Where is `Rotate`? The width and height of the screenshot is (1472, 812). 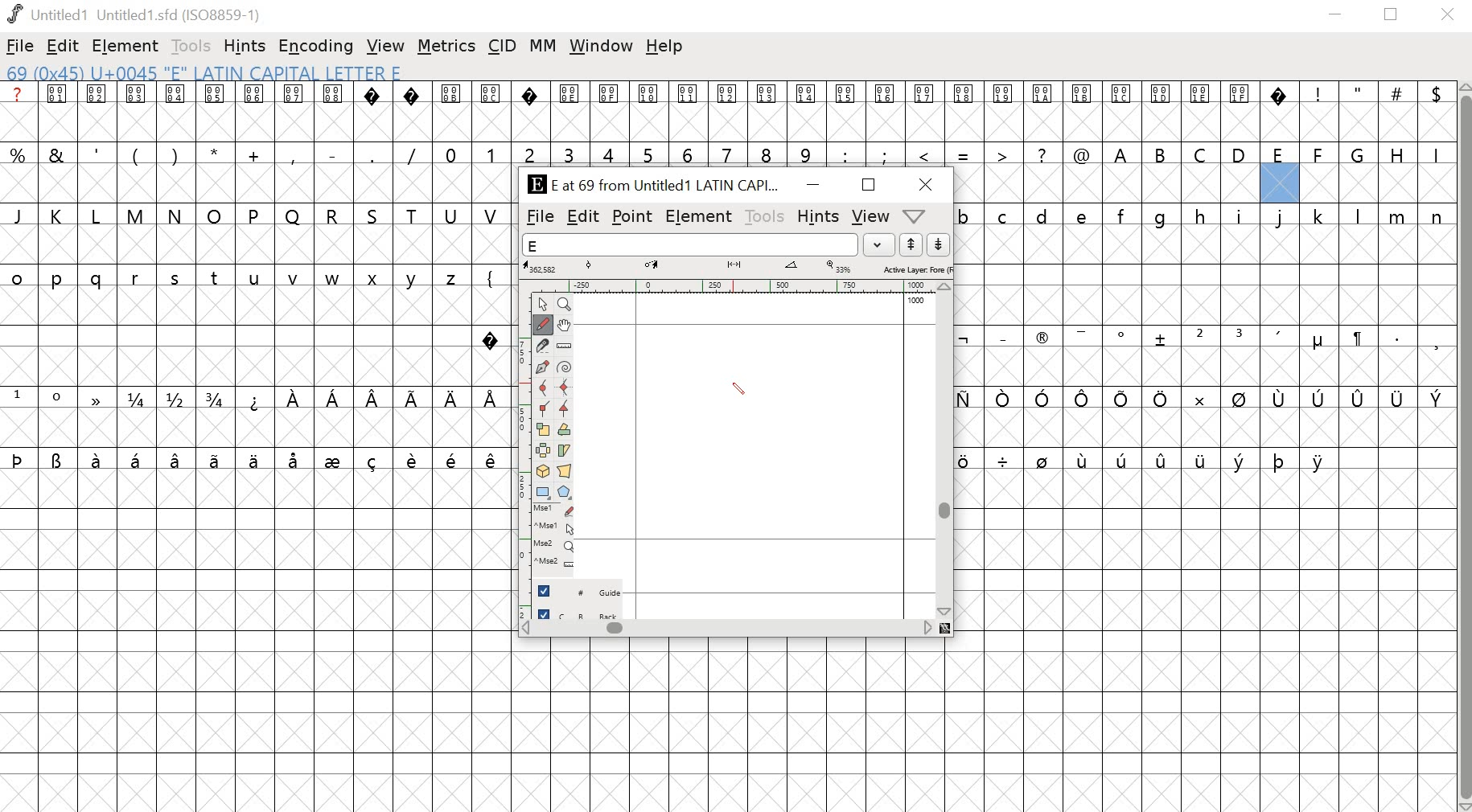 Rotate is located at coordinates (565, 430).